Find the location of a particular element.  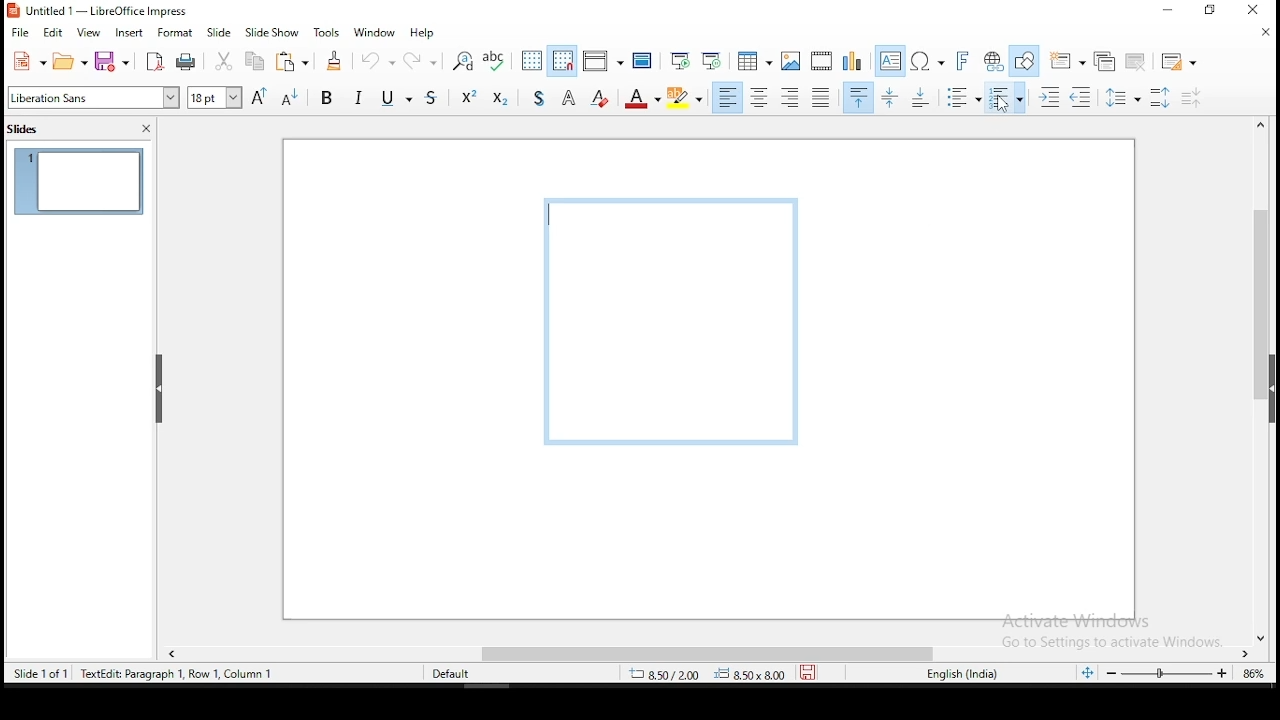

edit is located at coordinates (54, 33).